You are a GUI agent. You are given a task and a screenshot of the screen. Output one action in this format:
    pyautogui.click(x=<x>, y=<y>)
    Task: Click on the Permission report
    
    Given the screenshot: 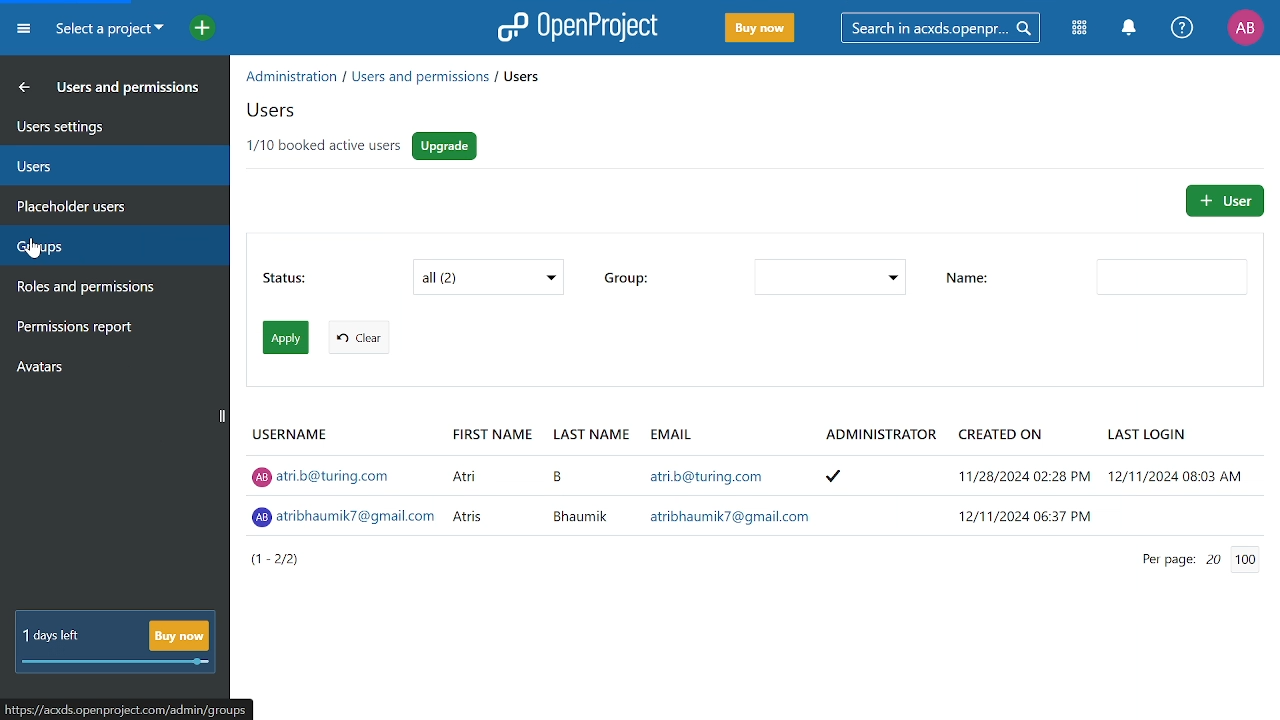 What is the action you would take?
    pyautogui.click(x=110, y=329)
    